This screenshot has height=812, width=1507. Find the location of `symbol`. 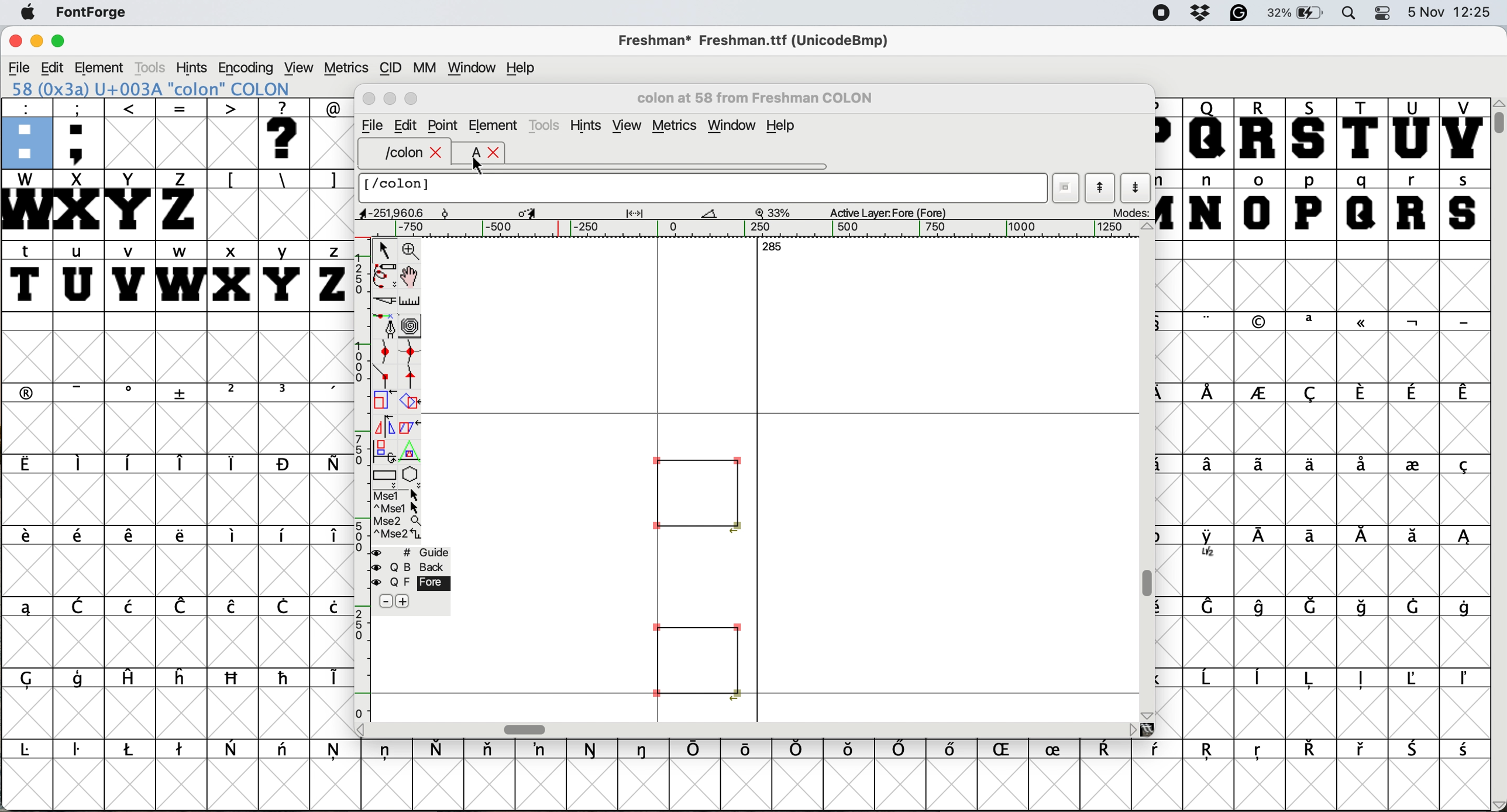

symbol is located at coordinates (1464, 394).